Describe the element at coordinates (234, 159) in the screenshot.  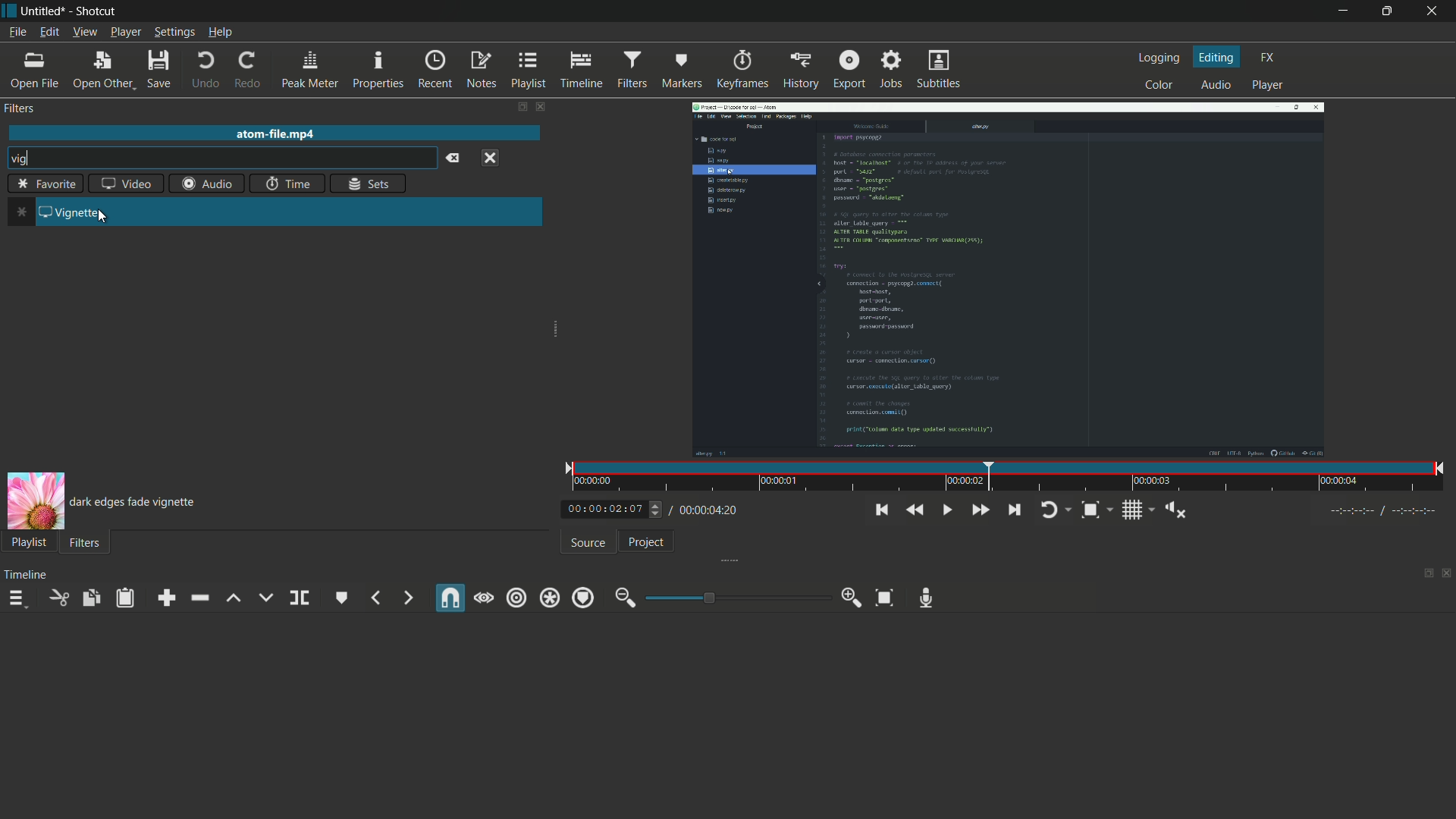
I see `search bar` at that location.